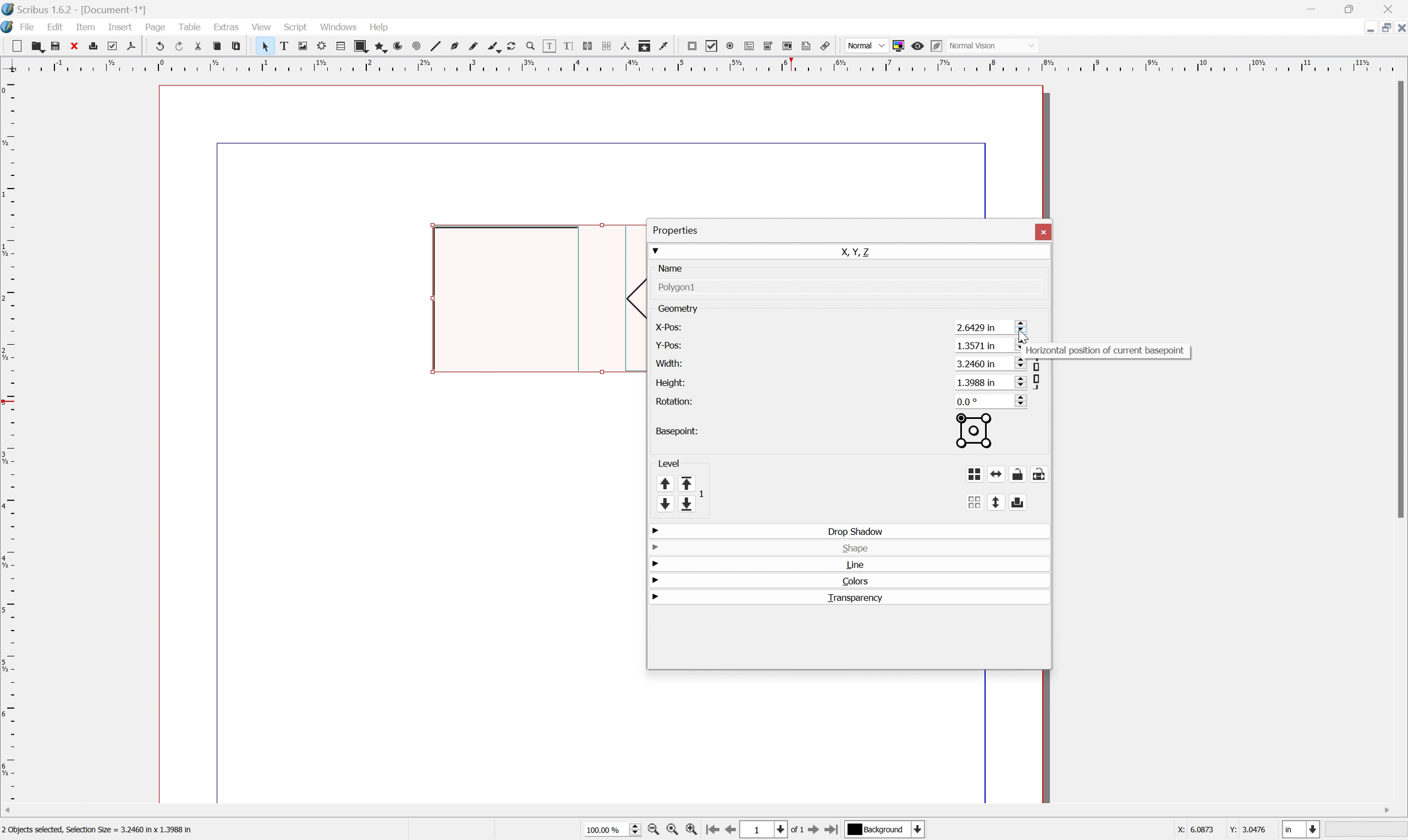  I want to click on link text frames, so click(587, 46).